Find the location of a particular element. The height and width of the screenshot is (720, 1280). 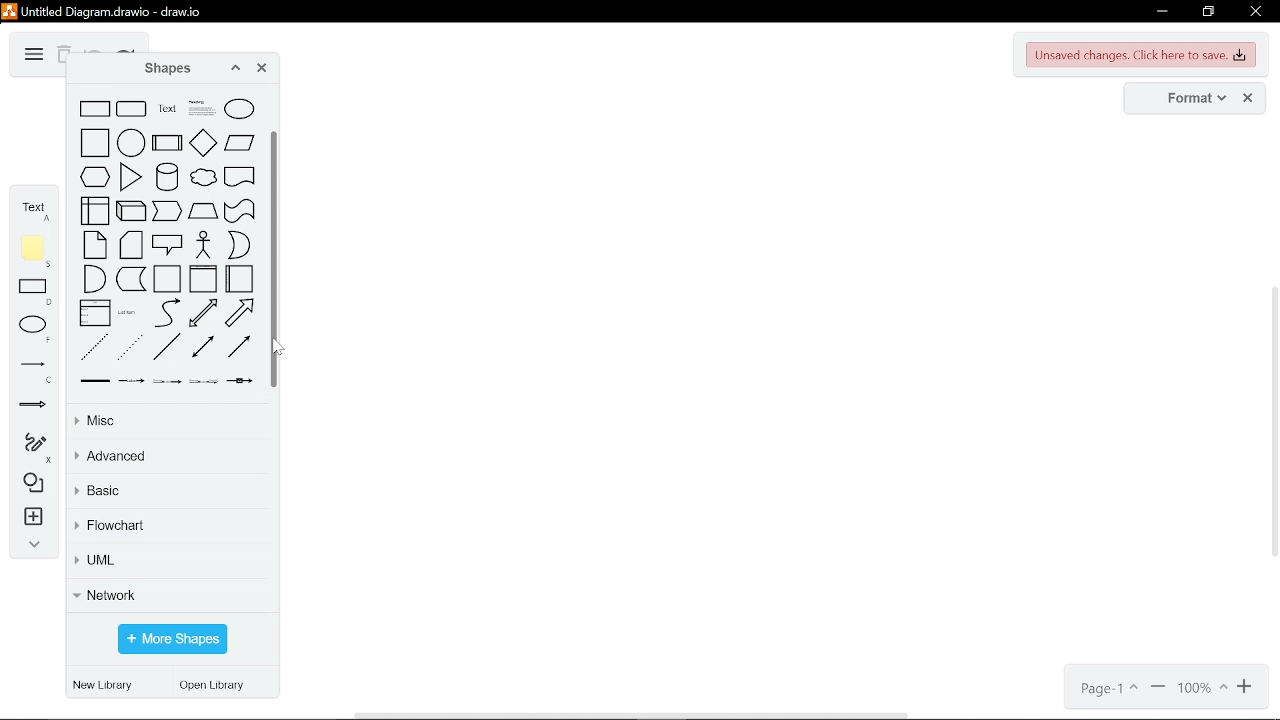

document is located at coordinates (240, 176).